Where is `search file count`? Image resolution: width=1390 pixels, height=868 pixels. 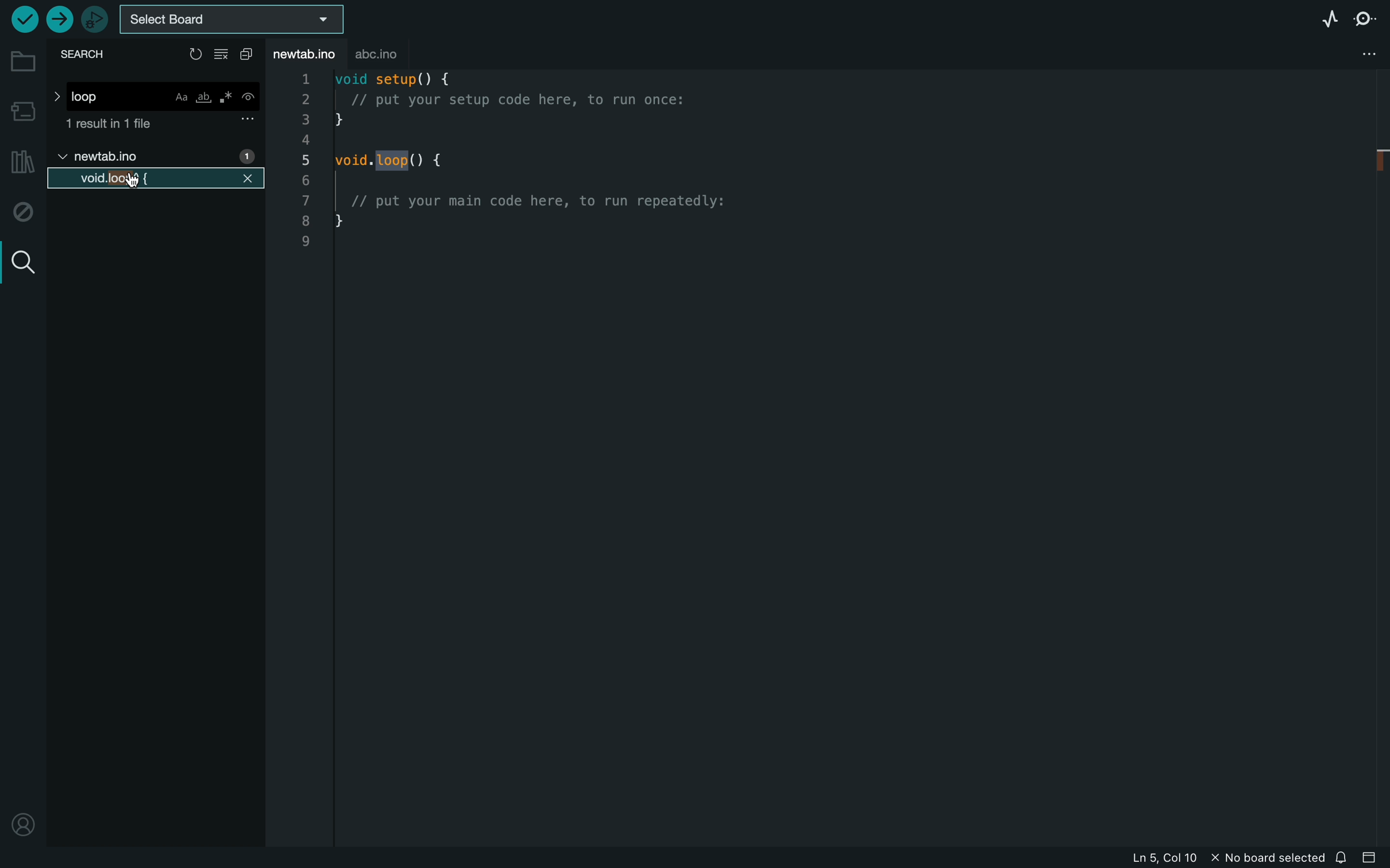 search file count is located at coordinates (161, 125).